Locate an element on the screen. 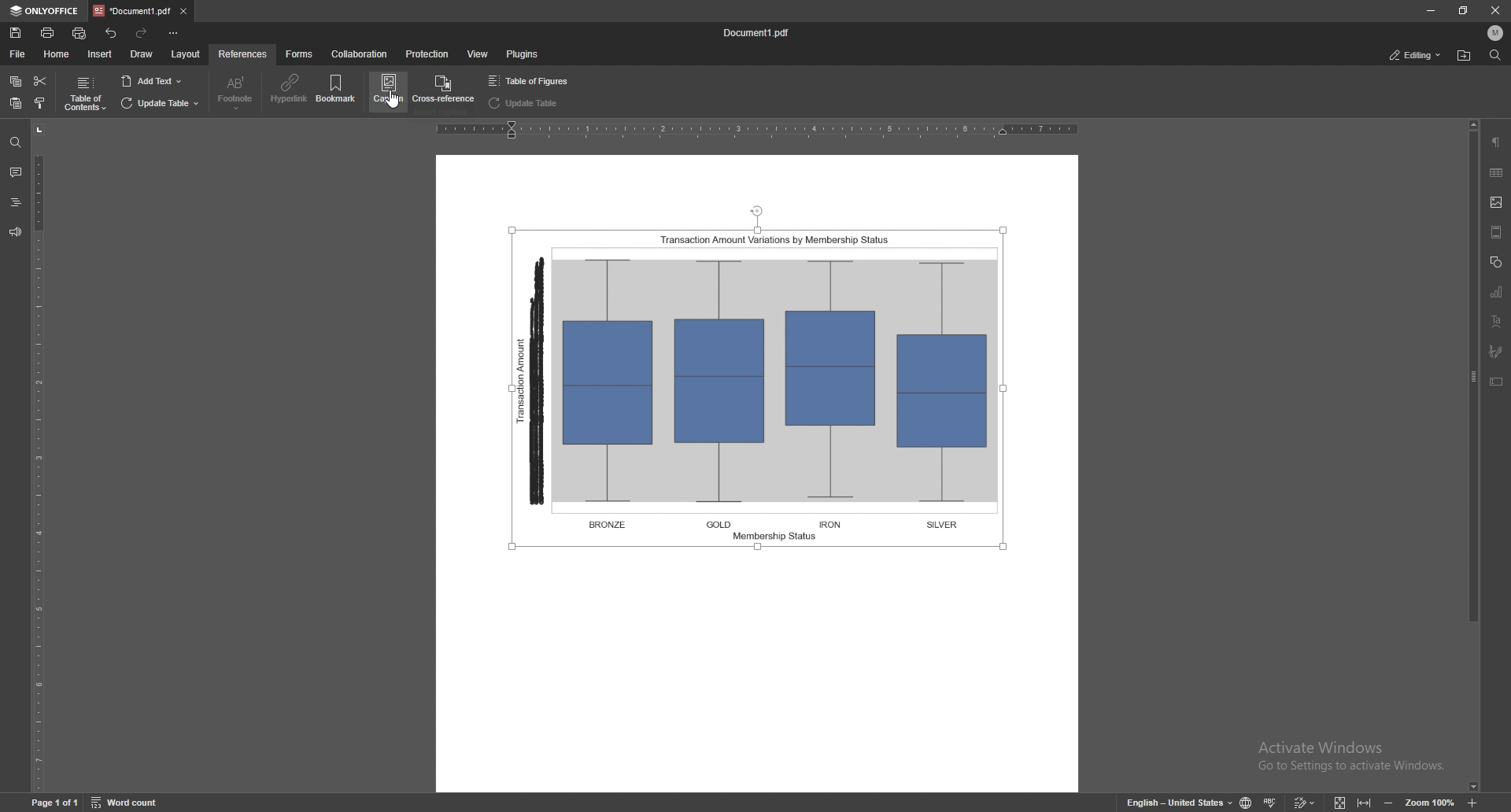 This screenshot has height=812, width=1511. paste is located at coordinates (16, 104).